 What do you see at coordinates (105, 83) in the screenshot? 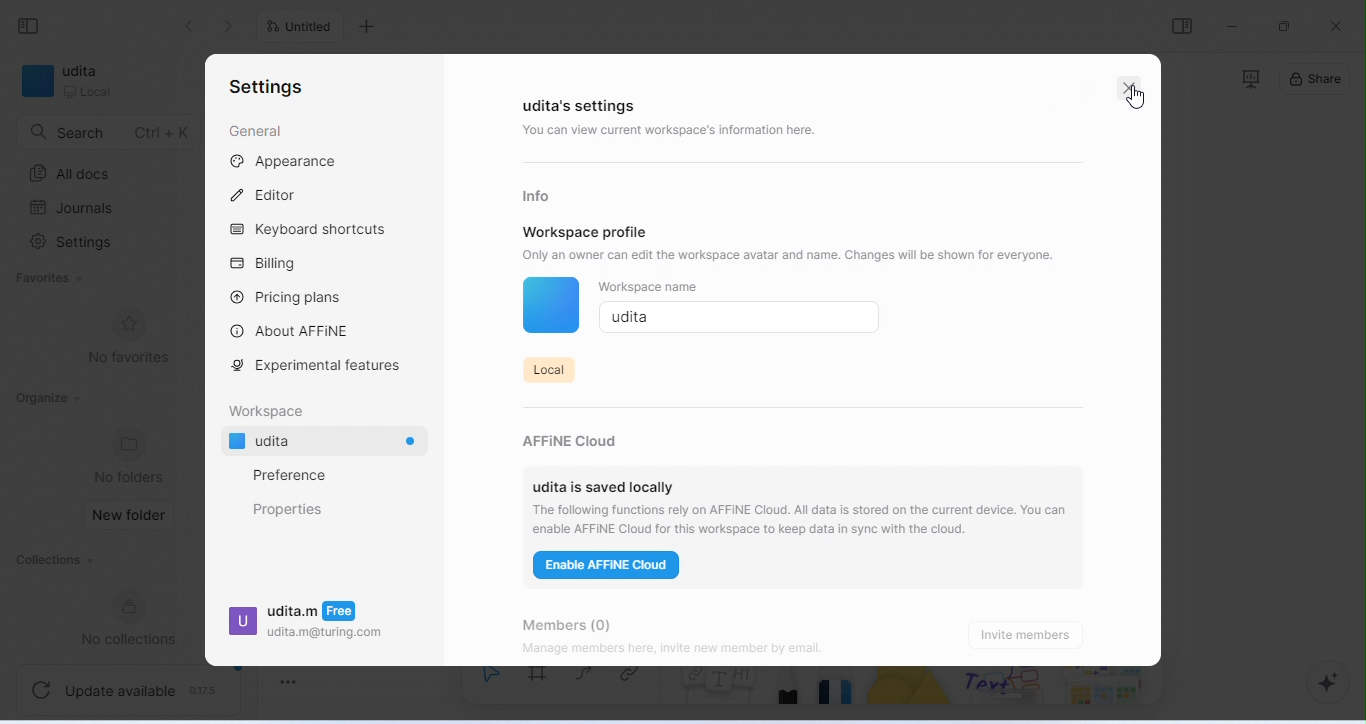
I see `demo workspace` at bounding box center [105, 83].